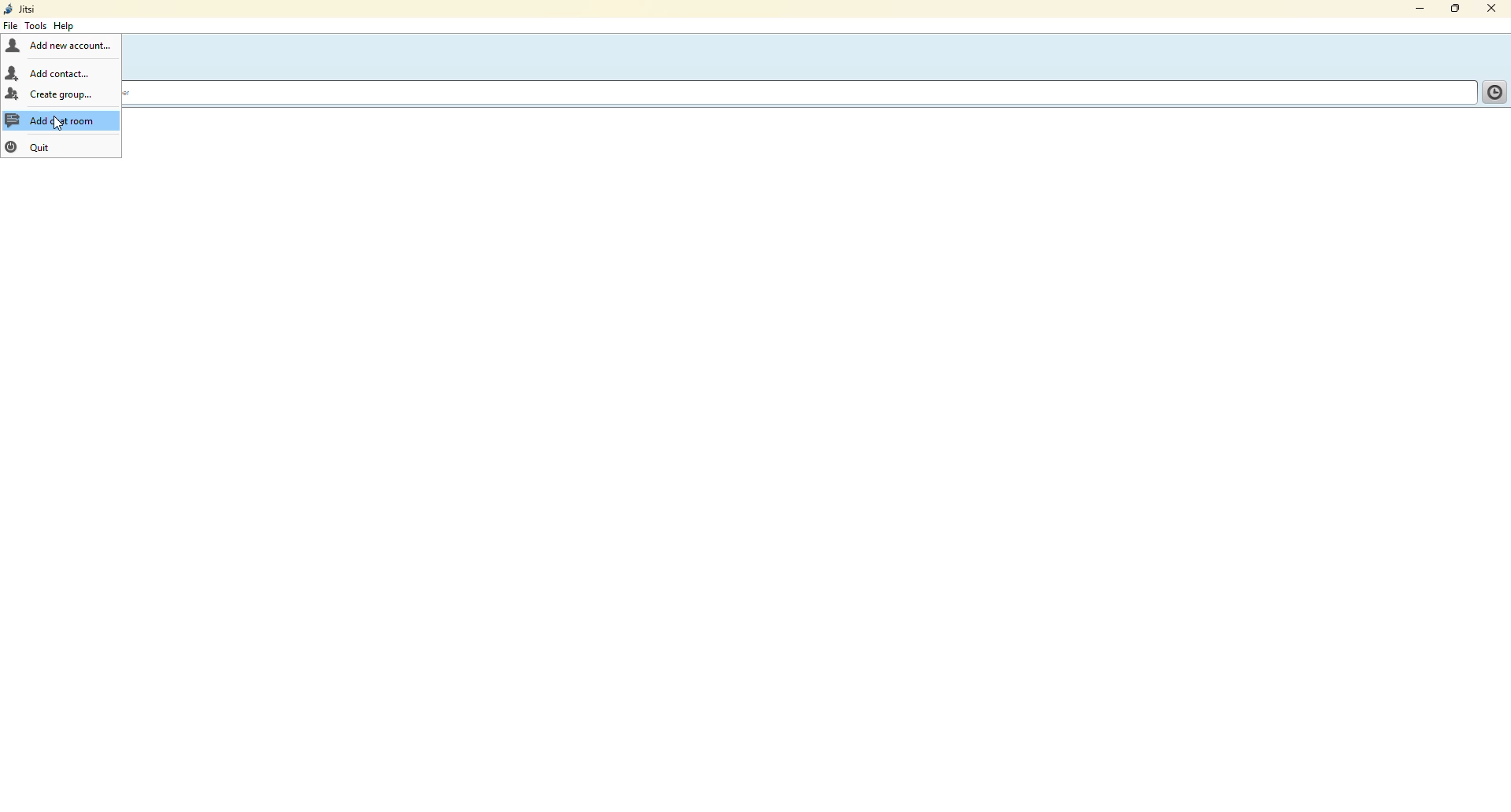 The image size is (1511, 812). Describe the element at coordinates (14, 45) in the screenshot. I see `add account icon` at that location.